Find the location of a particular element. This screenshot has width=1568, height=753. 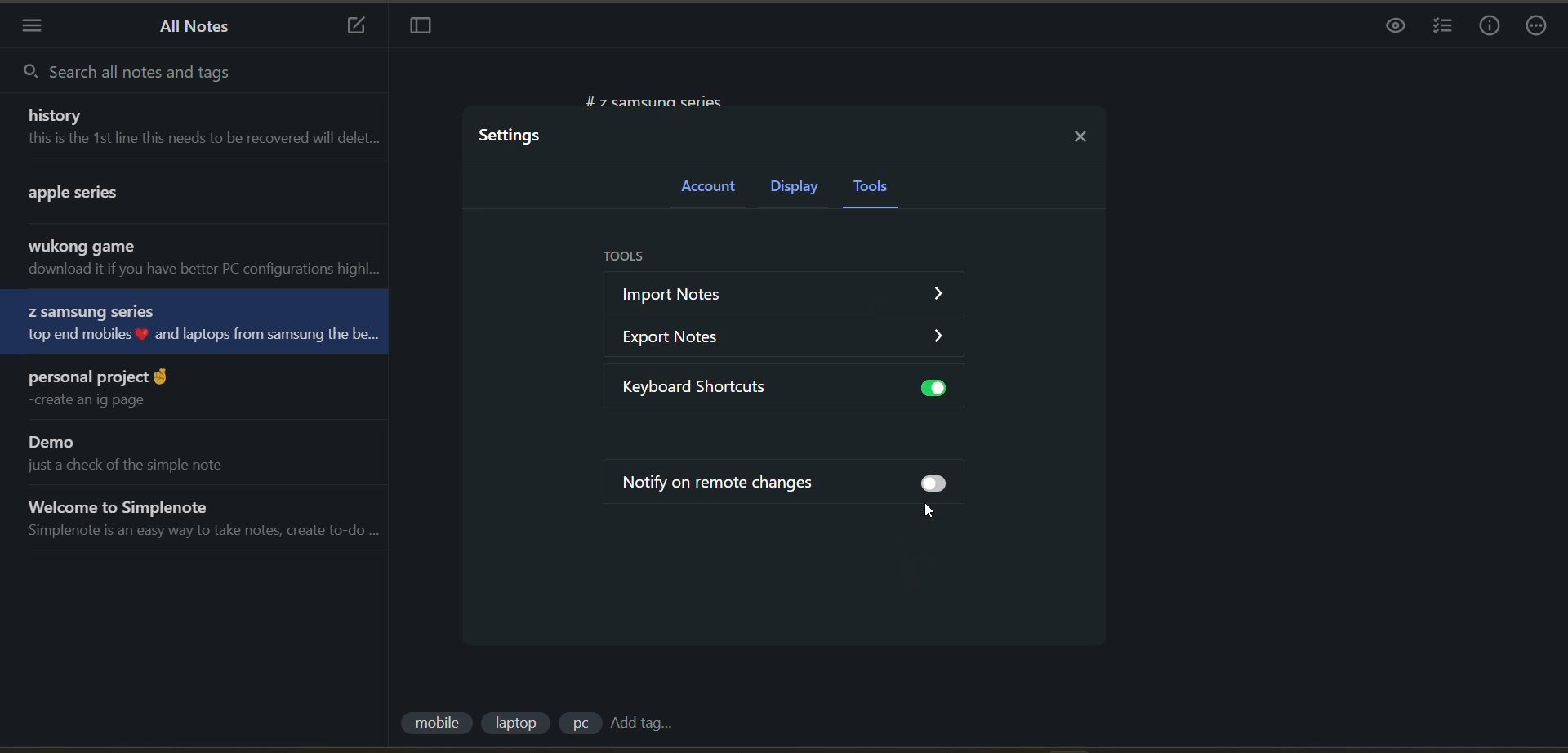

add tag is located at coordinates (647, 724).